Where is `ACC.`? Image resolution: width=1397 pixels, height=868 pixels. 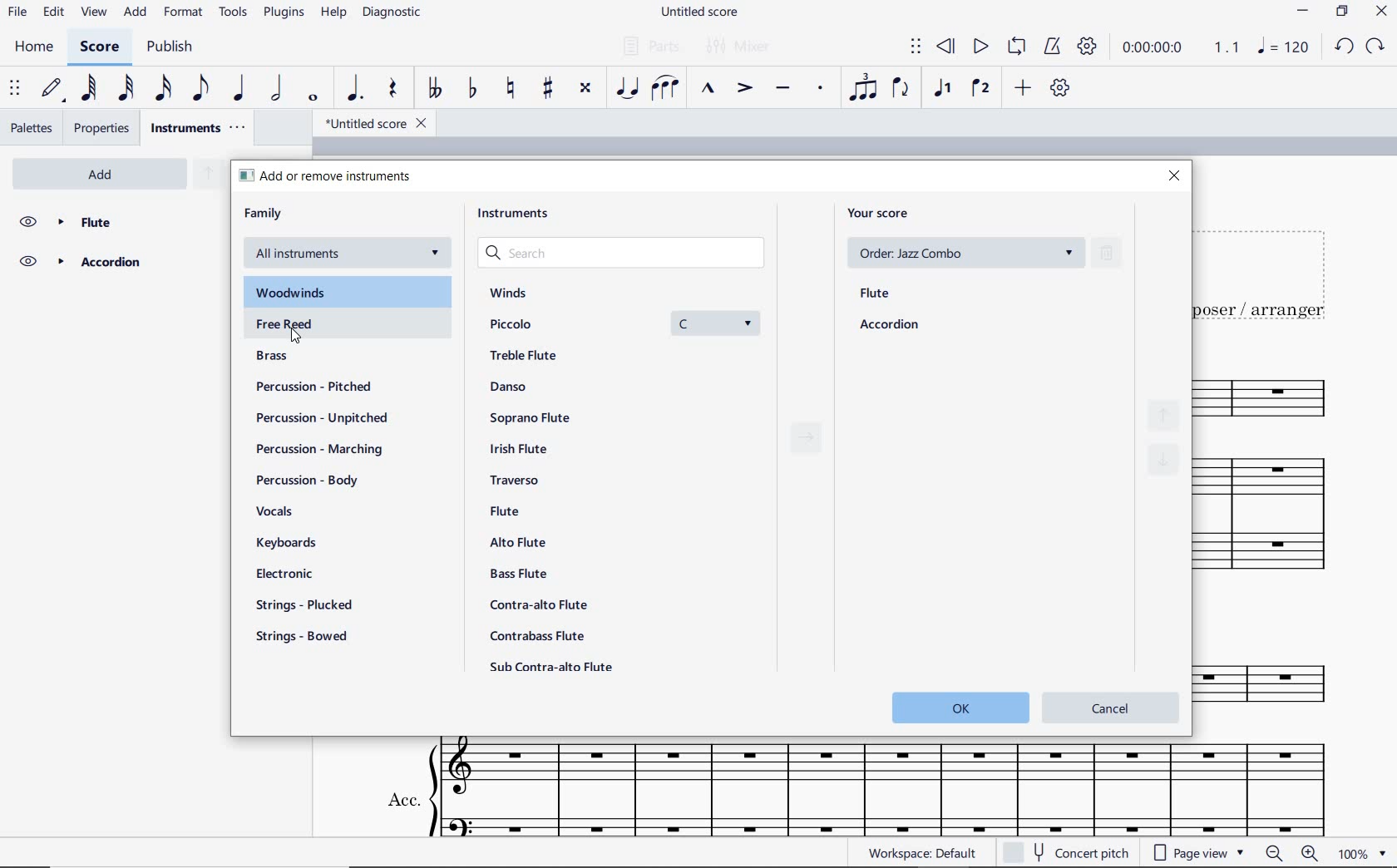 ACC. is located at coordinates (854, 788).